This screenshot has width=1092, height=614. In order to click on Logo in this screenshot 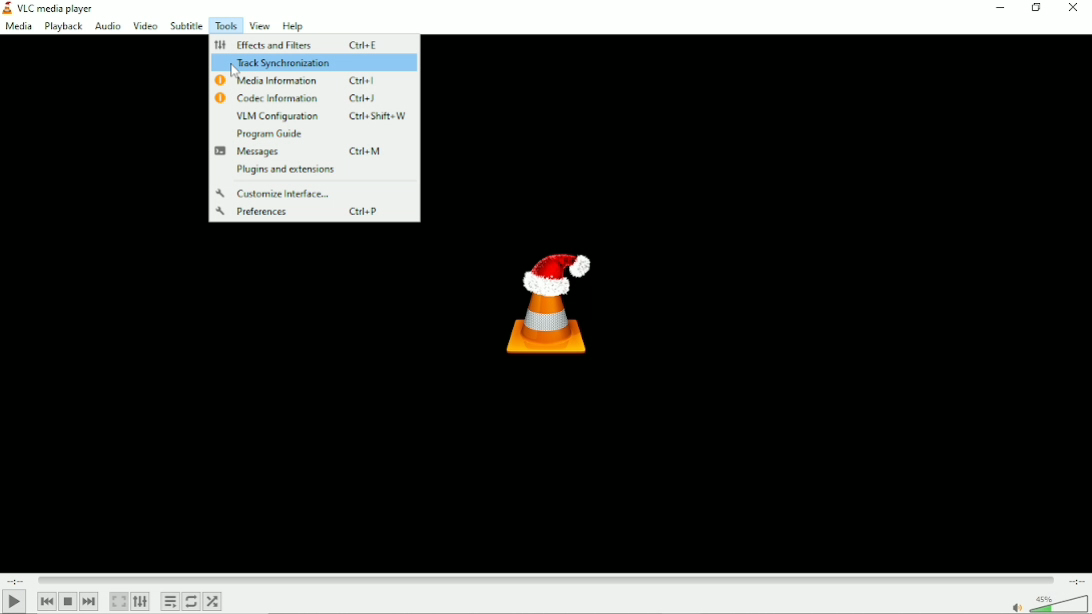, I will do `click(548, 302)`.